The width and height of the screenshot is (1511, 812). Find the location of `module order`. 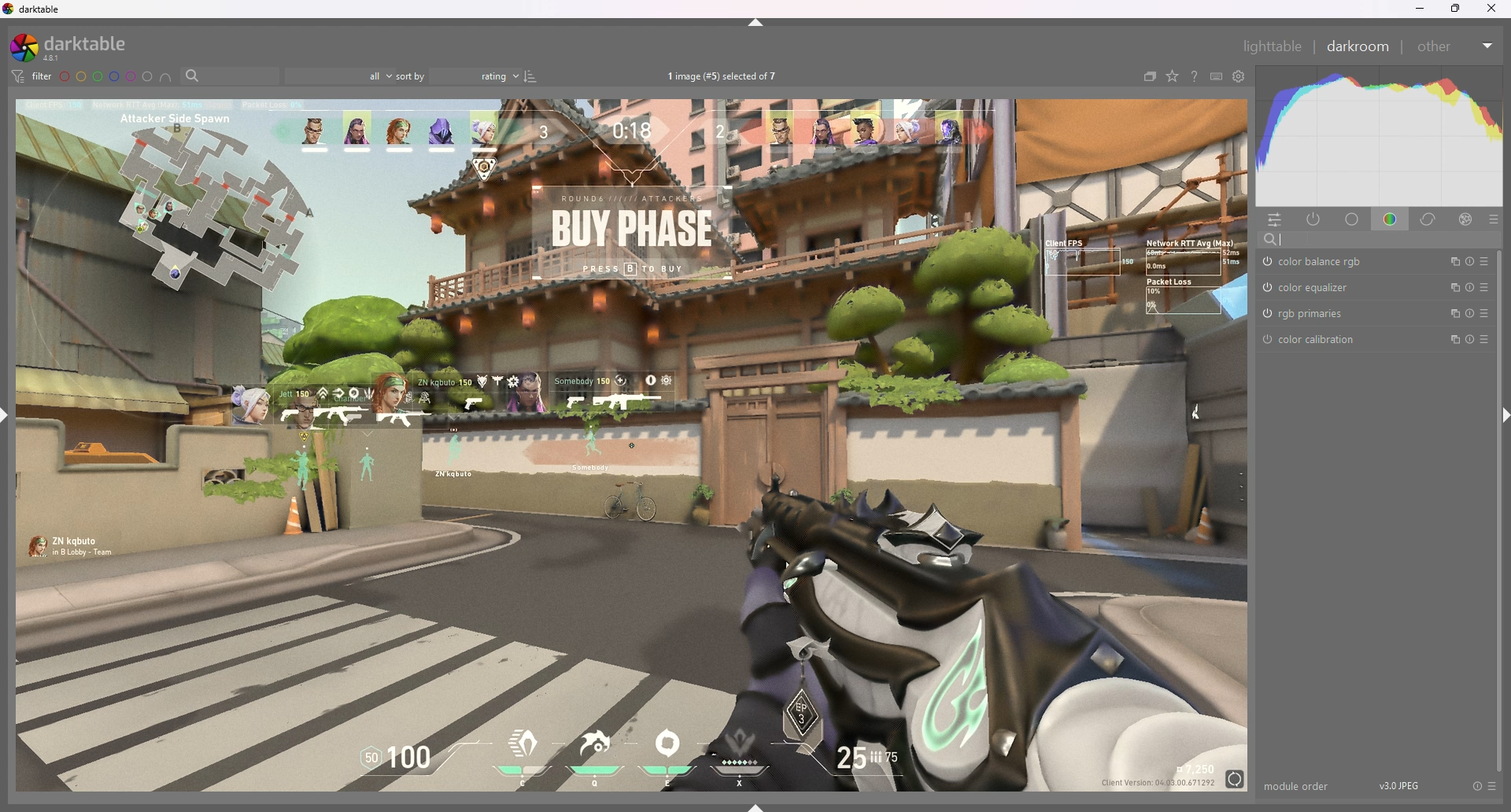

module order is located at coordinates (1299, 786).